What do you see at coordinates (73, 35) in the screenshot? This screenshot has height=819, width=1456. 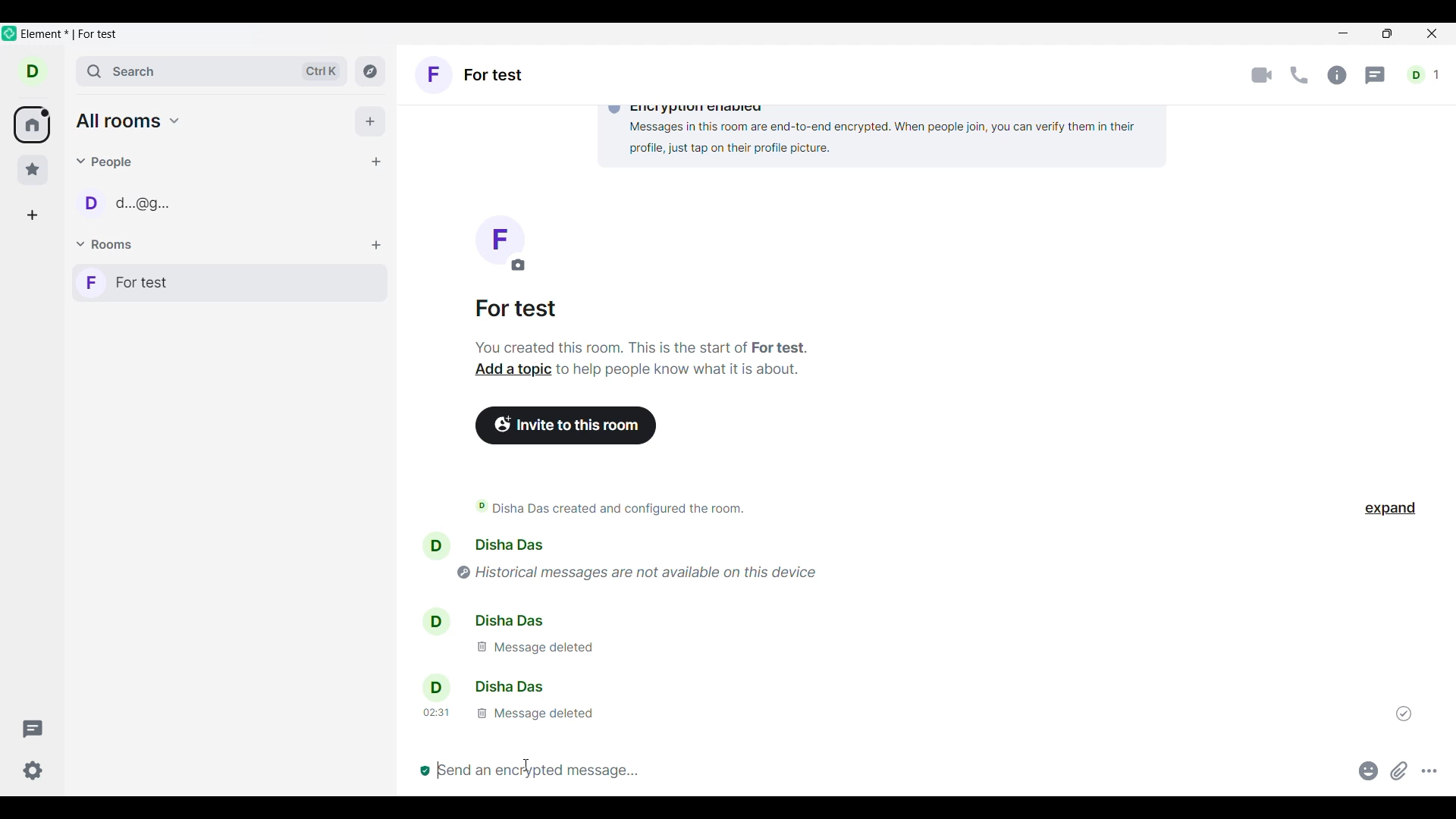 I see `Software and room name` at bounding box center [73, 35].